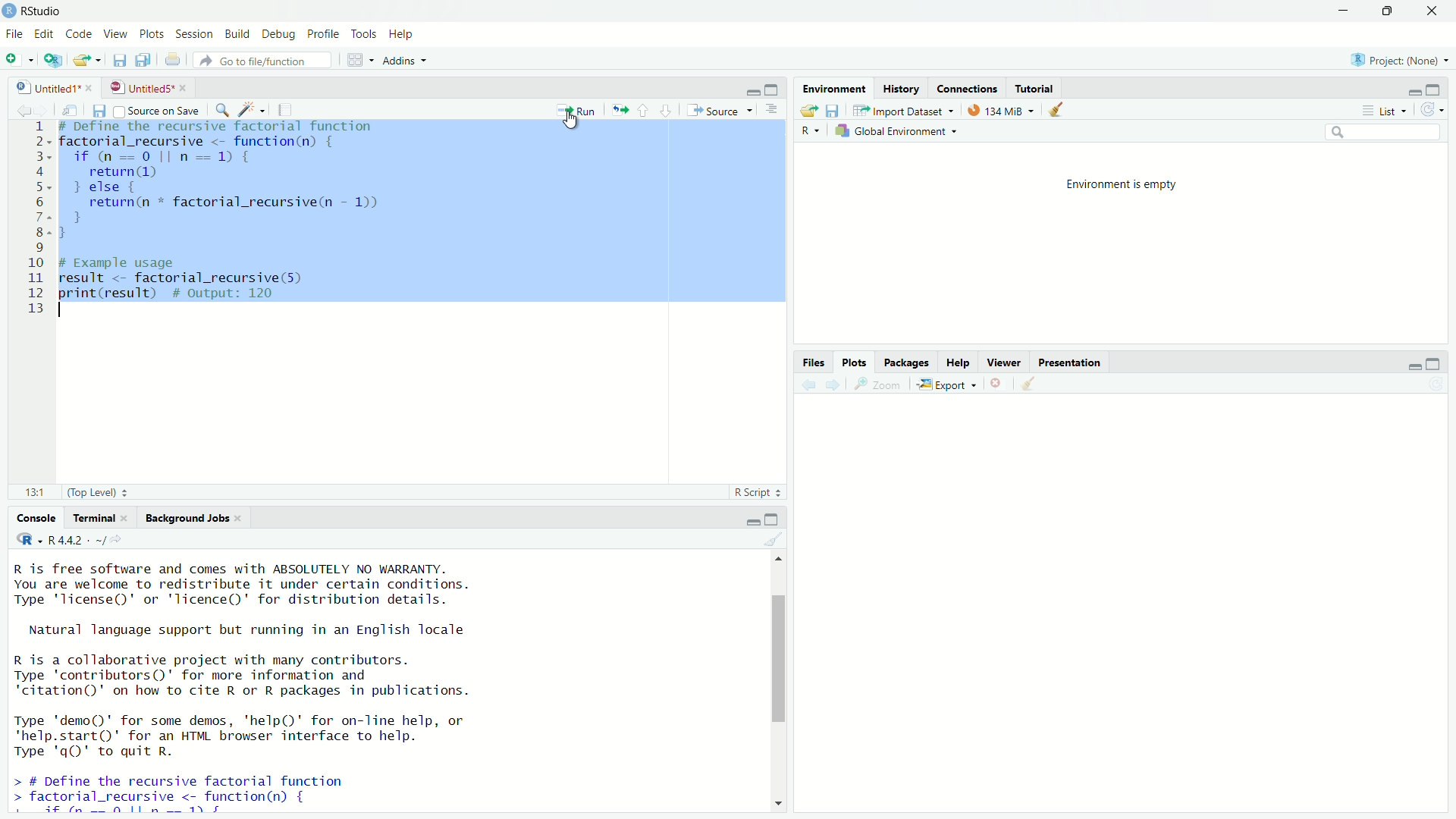 This screenshot has height=819, width=1456. I want to click on Code, so click(79, 33).